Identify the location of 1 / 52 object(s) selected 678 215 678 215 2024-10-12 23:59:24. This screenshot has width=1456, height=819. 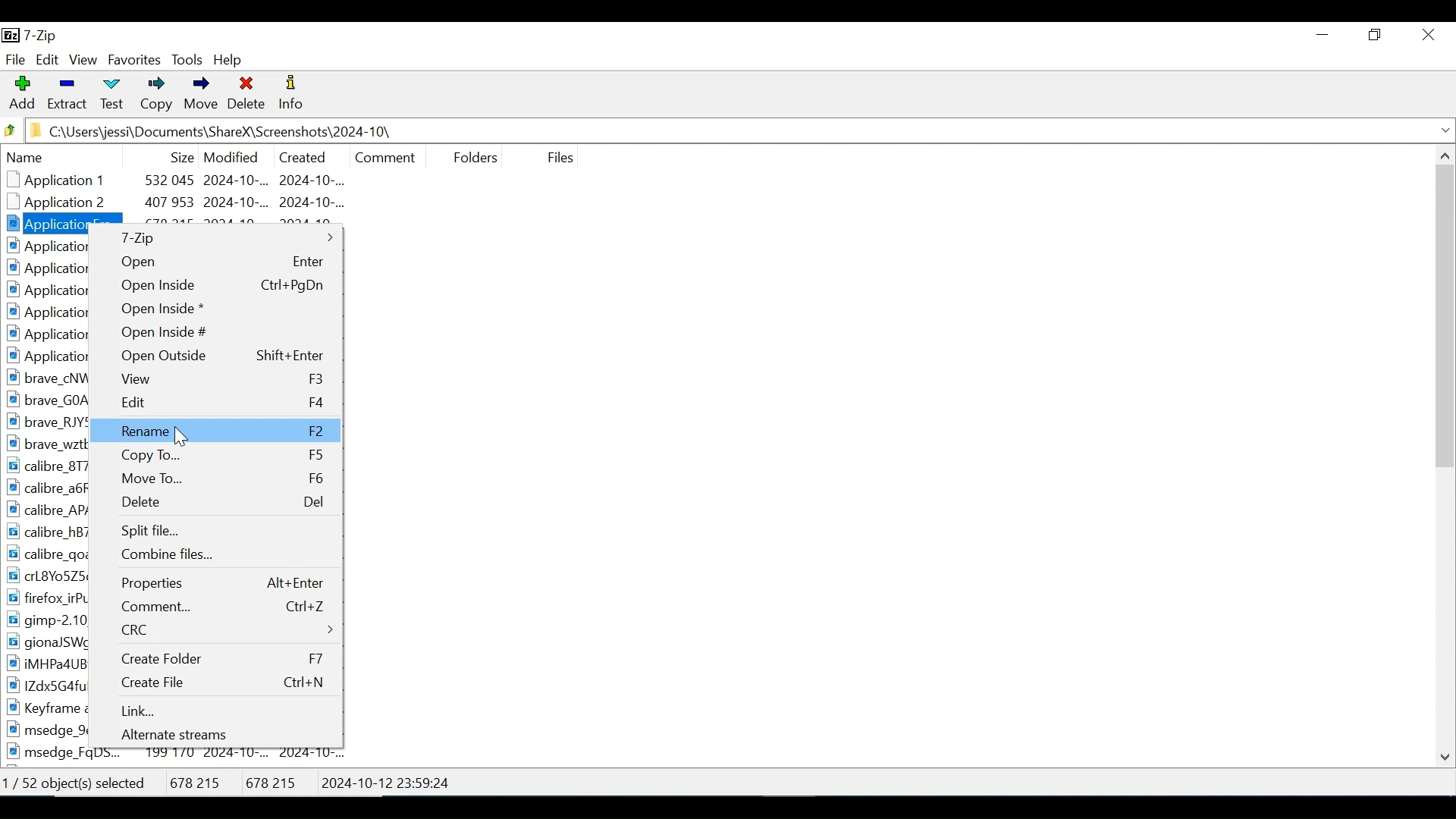
(237, 779).